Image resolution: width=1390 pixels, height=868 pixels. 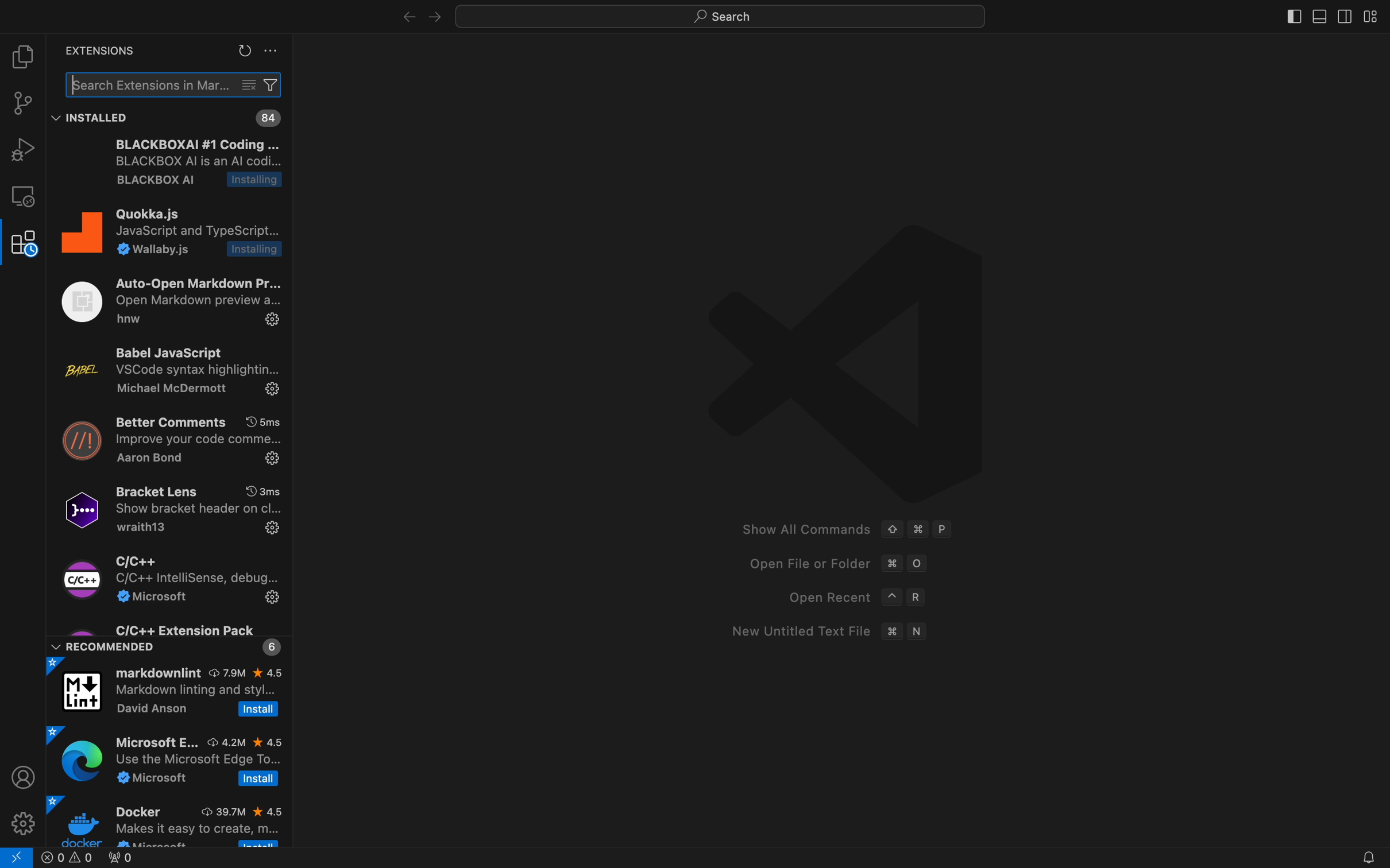 I want to click on settings, so click(x=25, y=821).